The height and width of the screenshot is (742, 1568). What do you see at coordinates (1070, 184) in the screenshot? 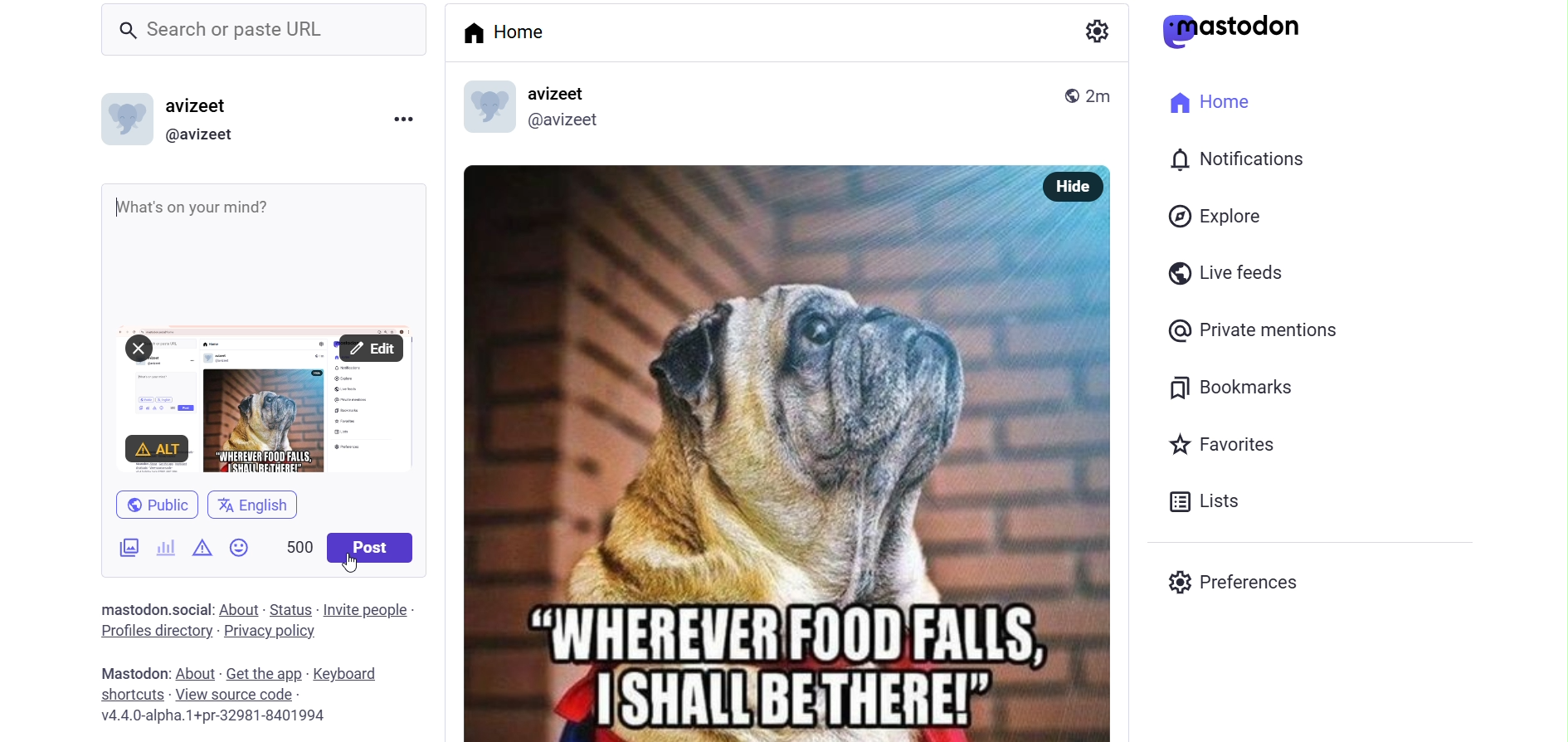
I see `hide` at bounding box center [1070, 184].